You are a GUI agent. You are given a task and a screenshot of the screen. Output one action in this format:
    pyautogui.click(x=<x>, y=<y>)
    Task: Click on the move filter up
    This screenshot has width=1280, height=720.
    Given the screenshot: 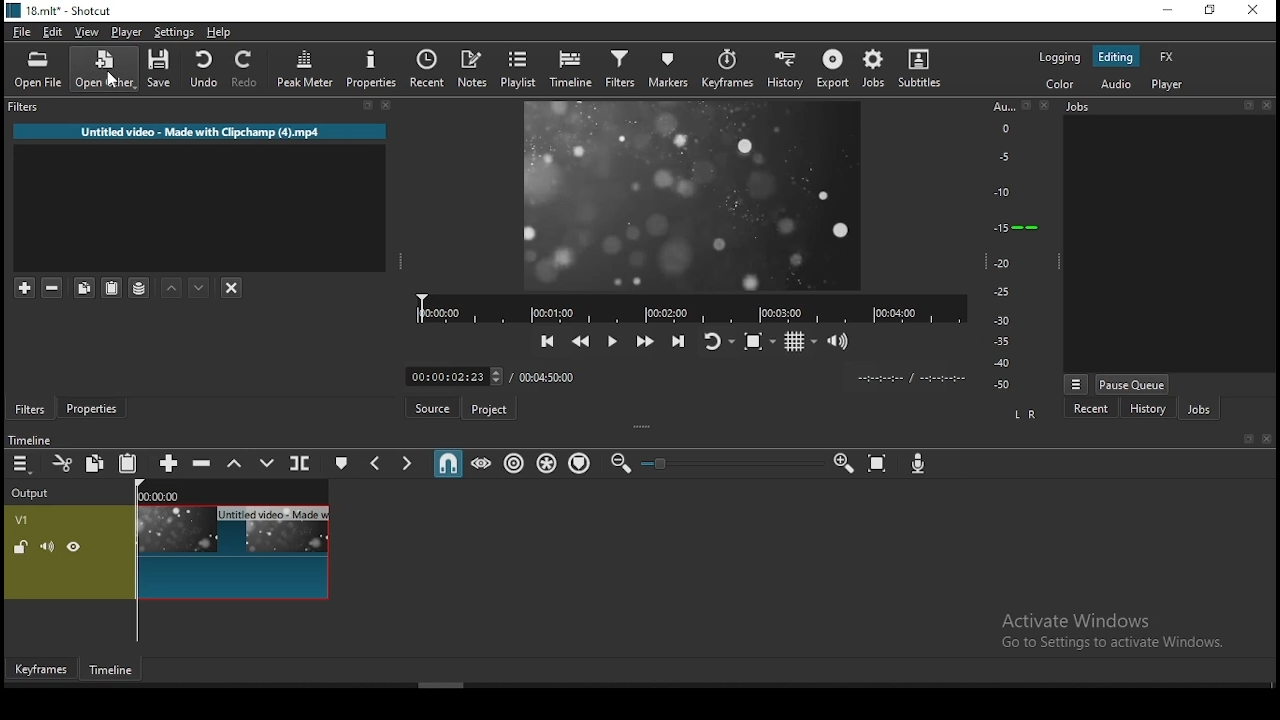 What is the action you would take?
    pyautogui.click(x=170, y=285)
    